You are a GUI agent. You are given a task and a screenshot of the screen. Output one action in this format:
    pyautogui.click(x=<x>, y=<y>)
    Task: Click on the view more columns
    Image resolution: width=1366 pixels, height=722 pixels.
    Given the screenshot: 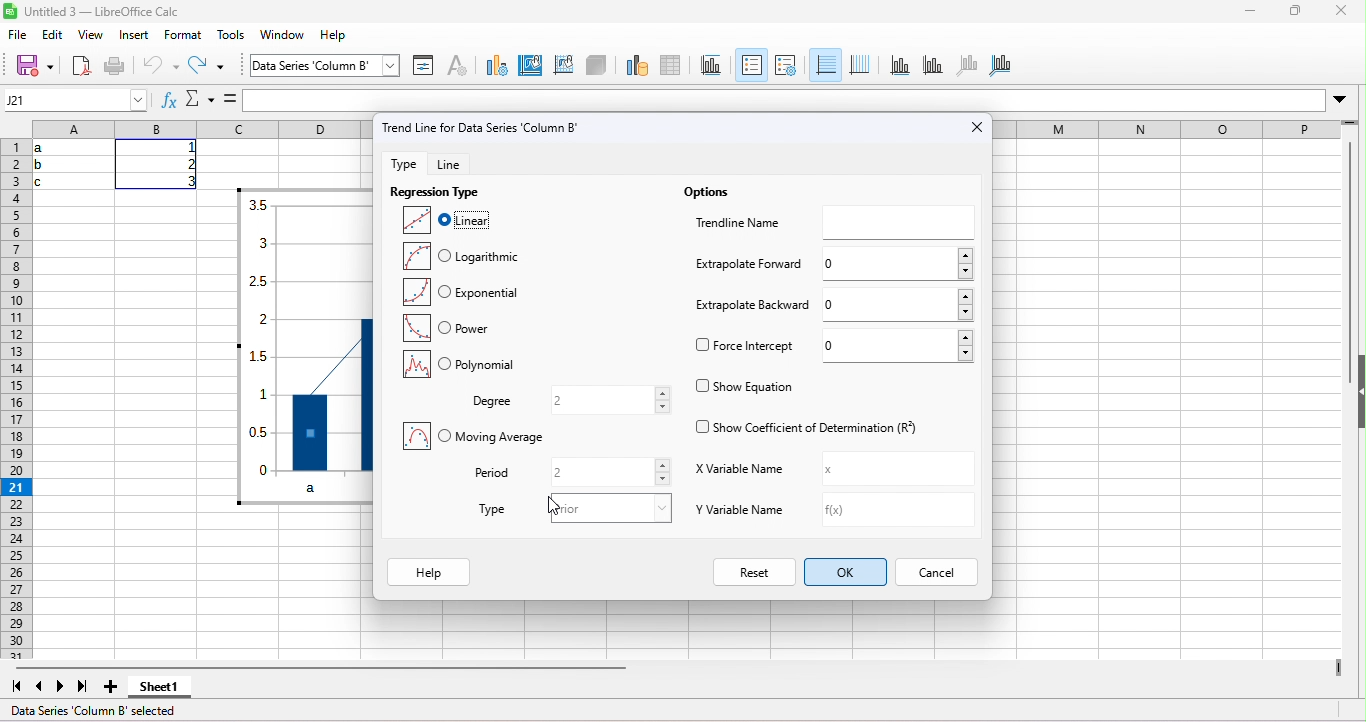 What is the action you would take?
    pyautogui.click(x=1340, y=670)
    